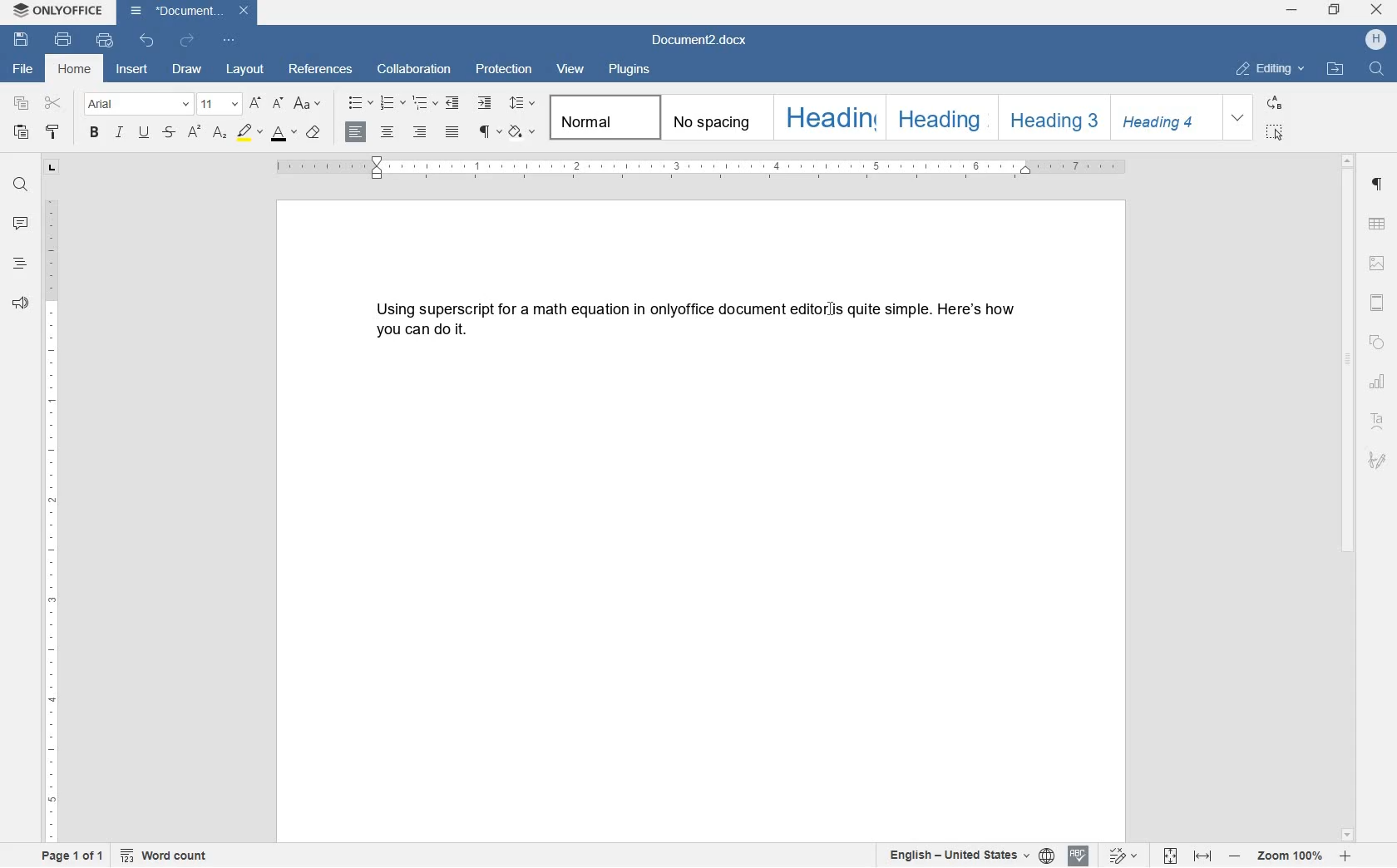  I want to click on SELECT ALL, so click(1275, 134).